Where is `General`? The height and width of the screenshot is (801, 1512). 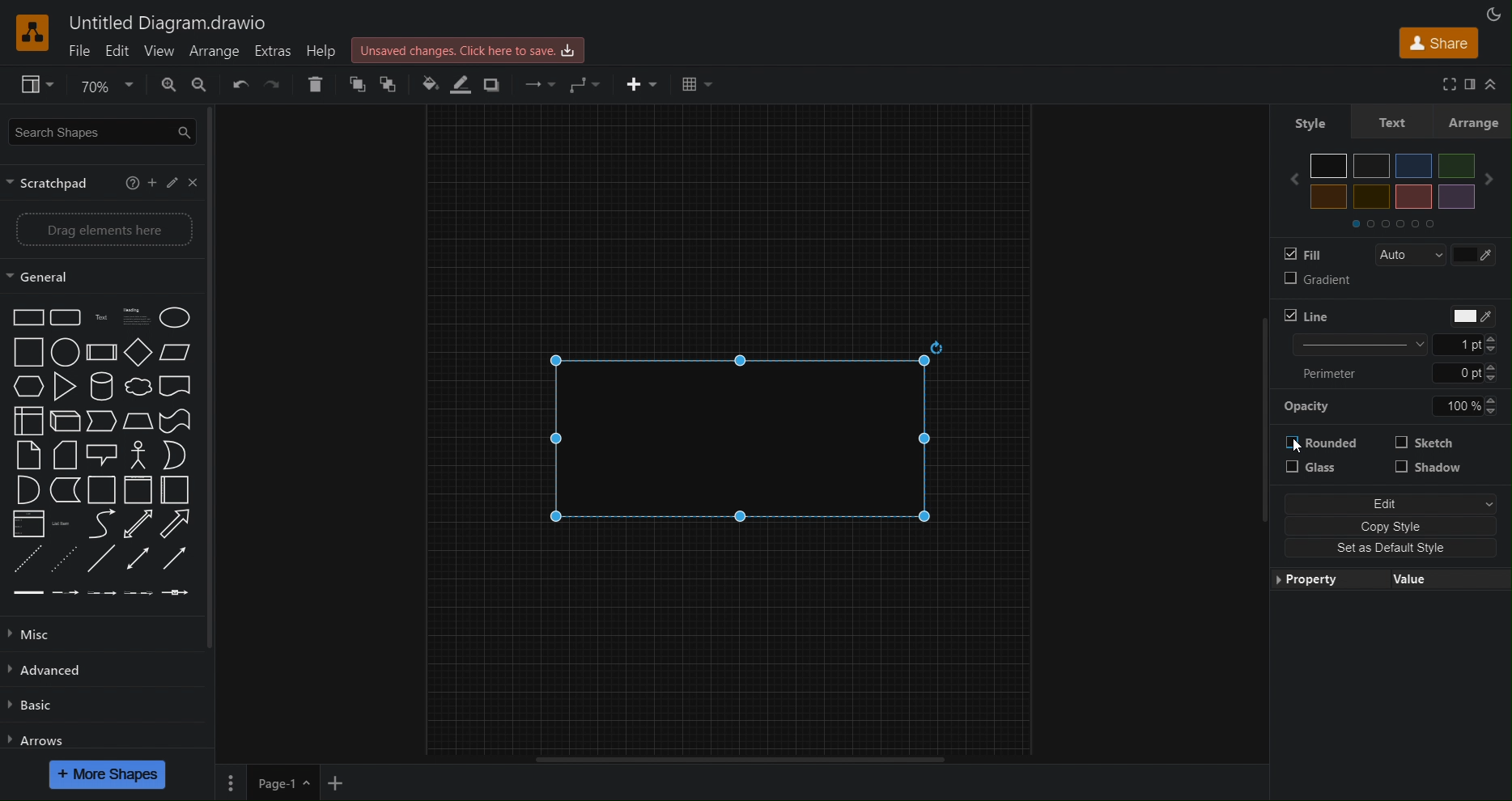 General is located at coordinates (94, 276).